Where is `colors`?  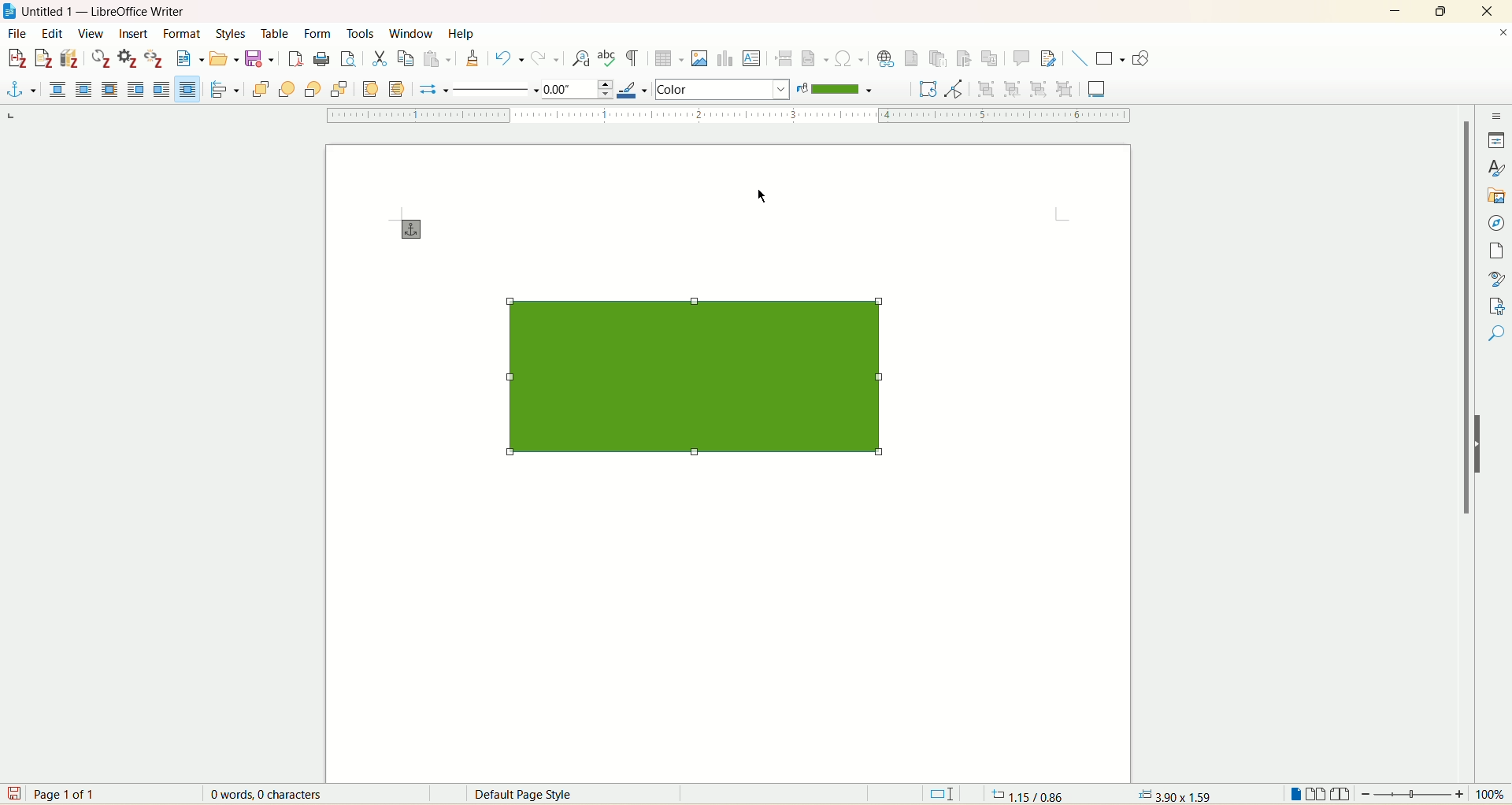
colors is located at coordinates (724, 88).